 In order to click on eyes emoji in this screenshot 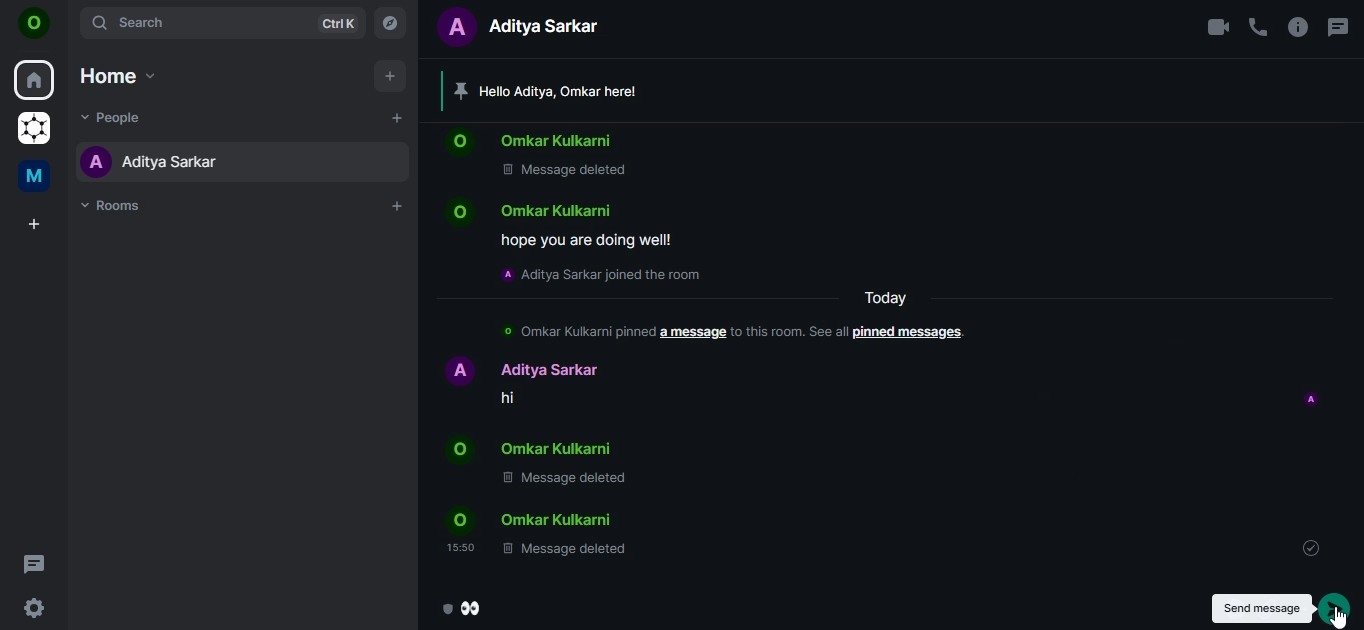, I will do `click(464, 610)`.